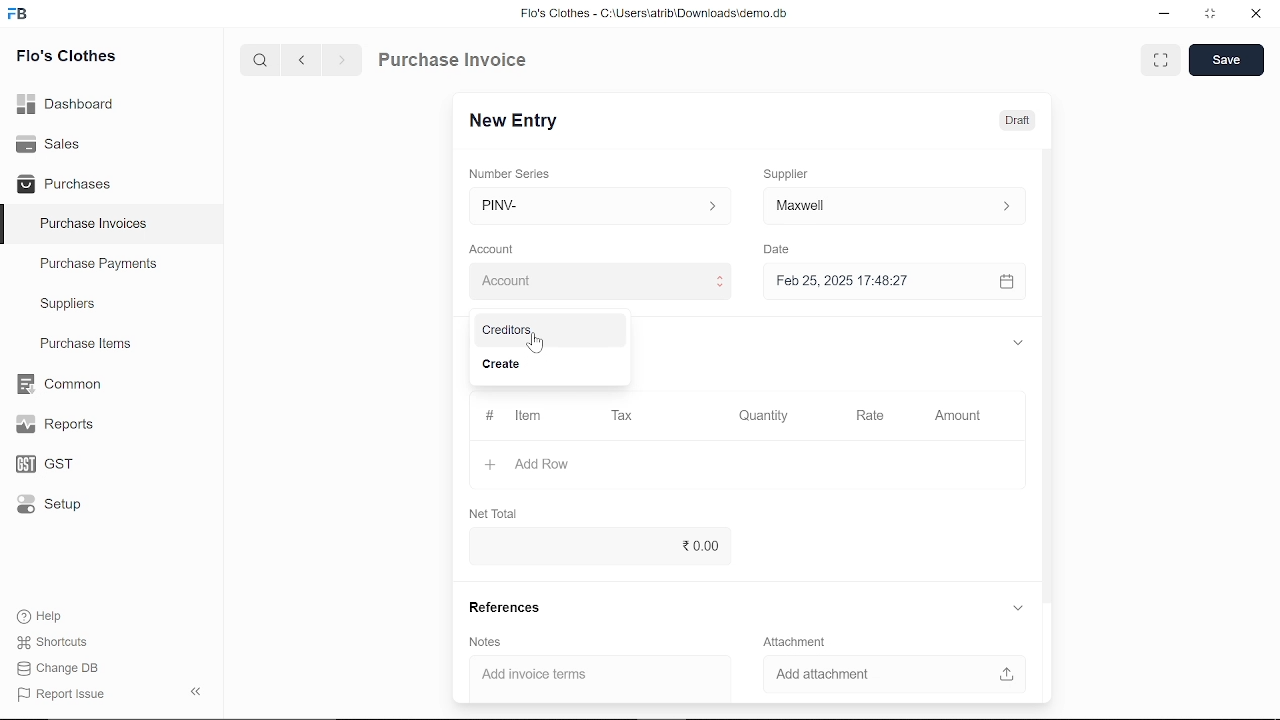 Image resolution: width=1280 pixels, height=720 pixels. What do you see at coordinates (1015, 340) in the screenshot?
I see `expand` at bounding box center [1015, 340].